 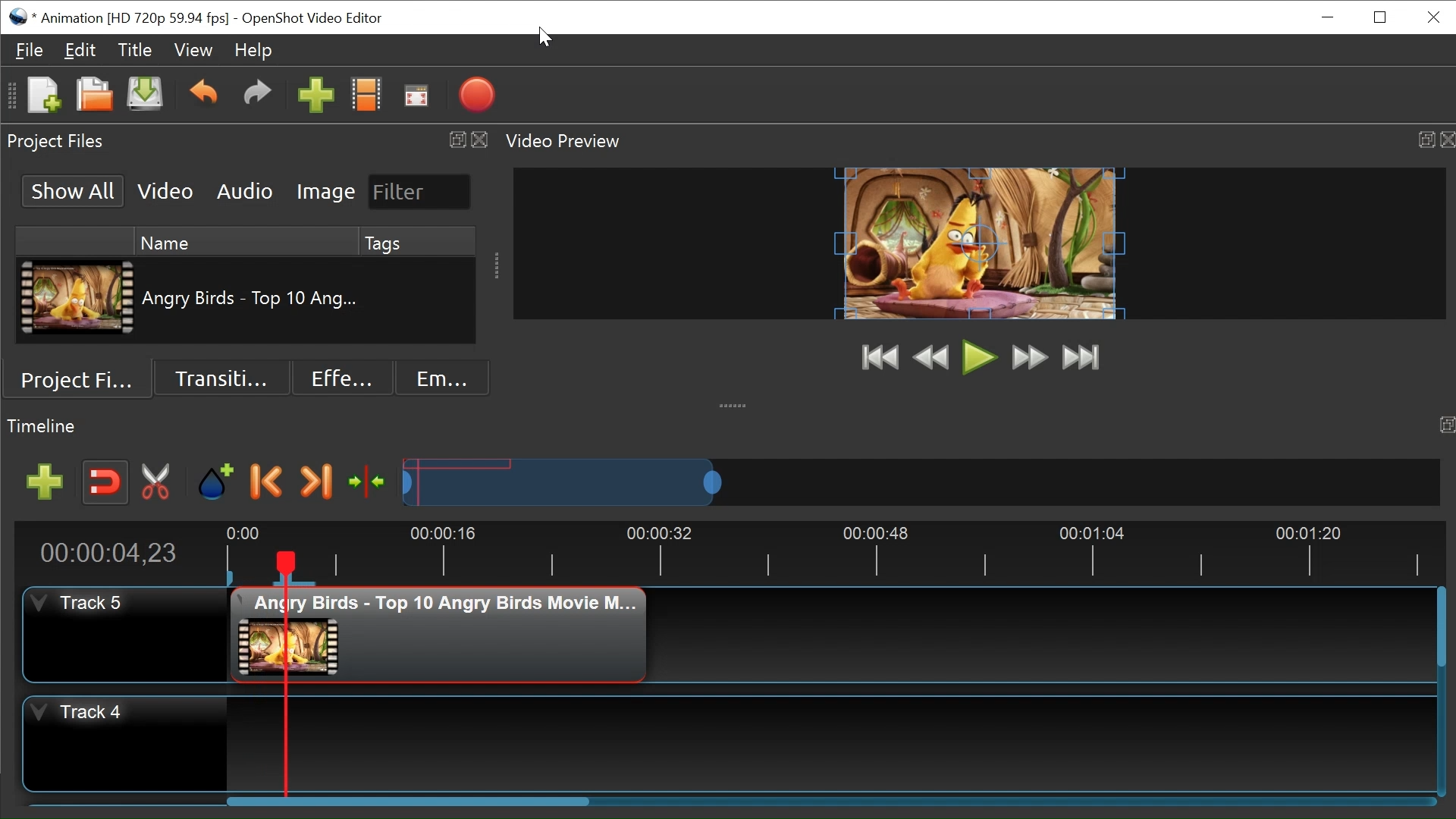 I want to click on Import Files, so click(x=316, y=94).